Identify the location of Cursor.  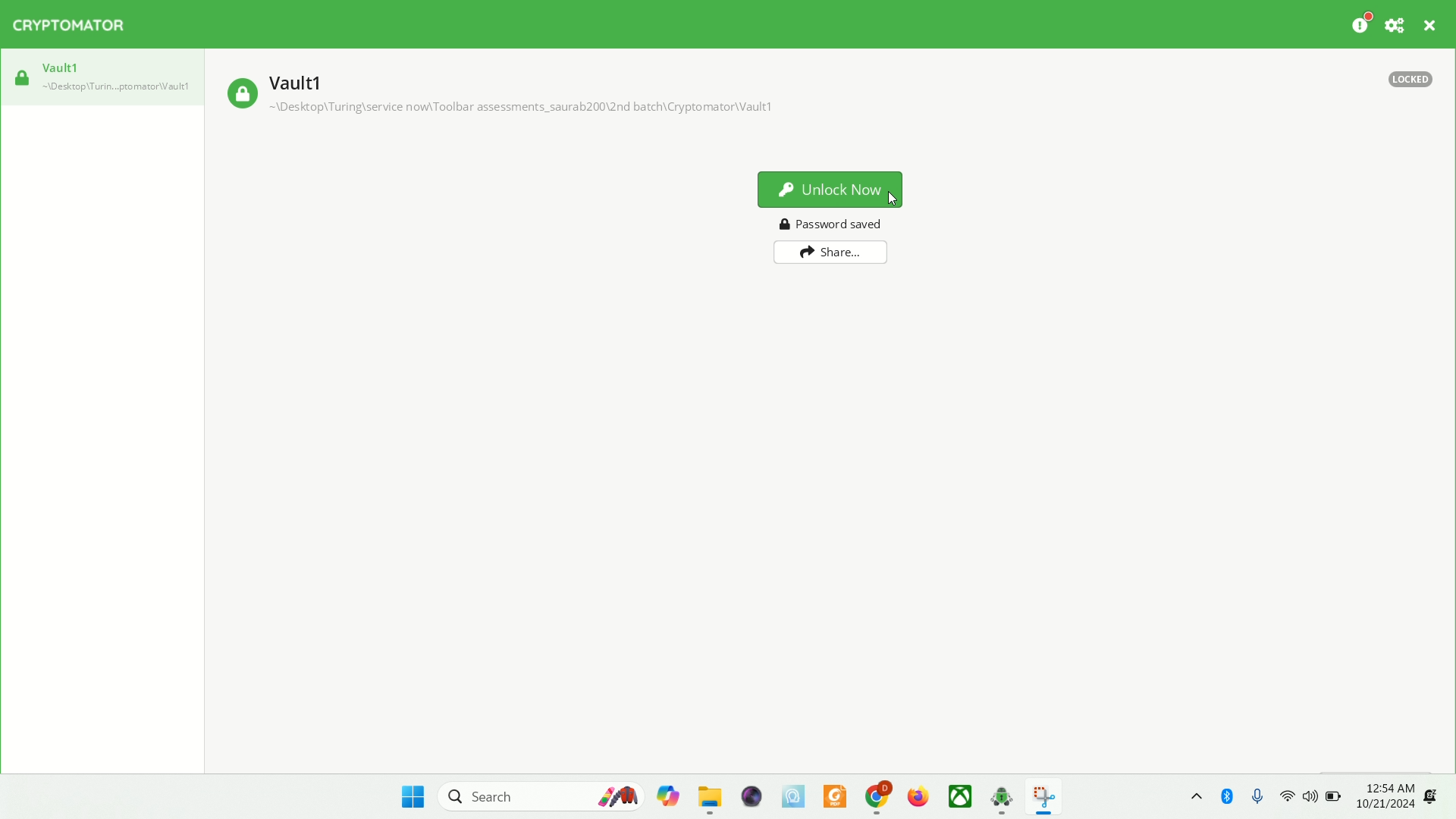
(891, 196).